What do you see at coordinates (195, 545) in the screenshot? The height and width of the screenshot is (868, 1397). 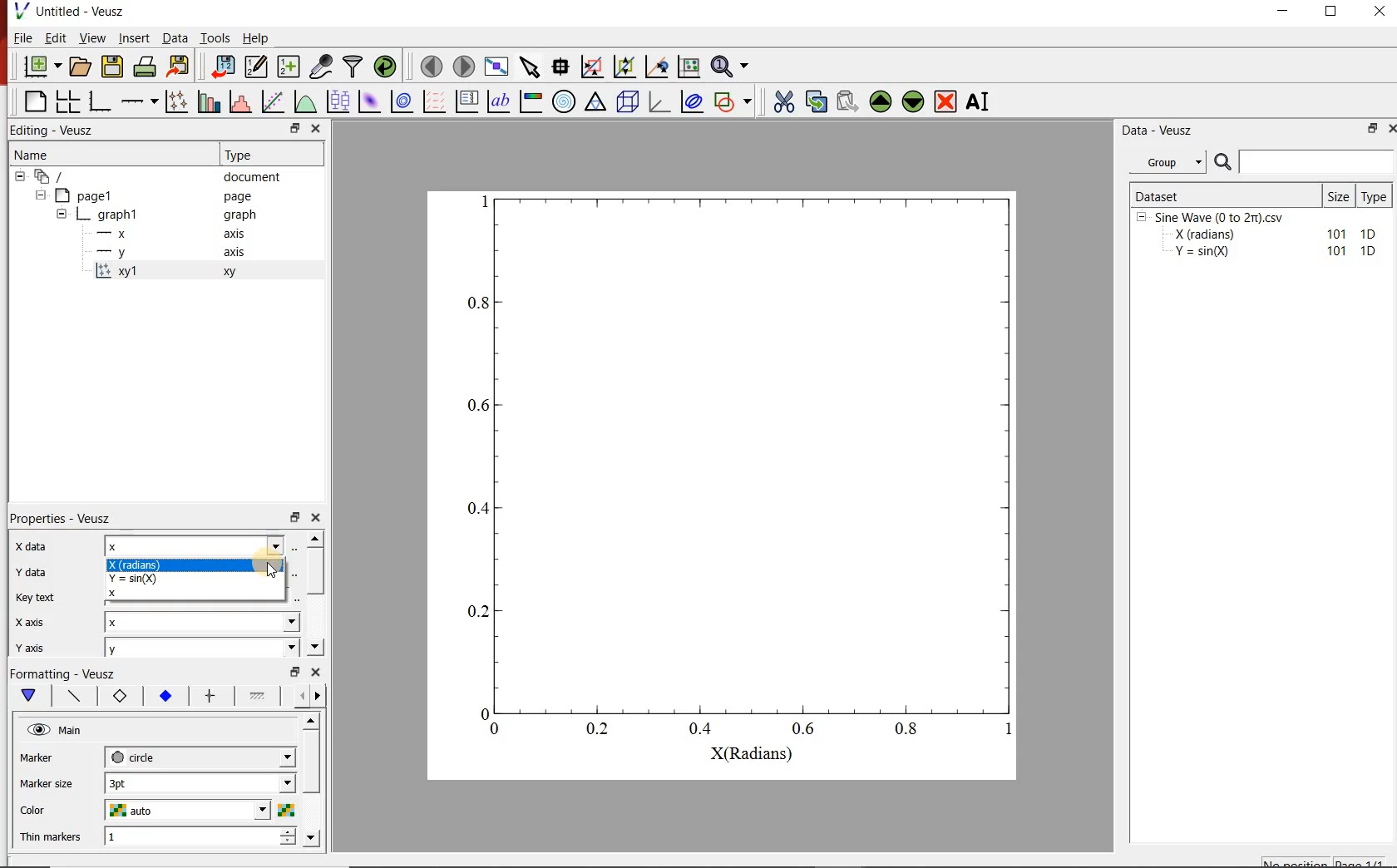 I see `Textbox` at bounding box center [195, 545].